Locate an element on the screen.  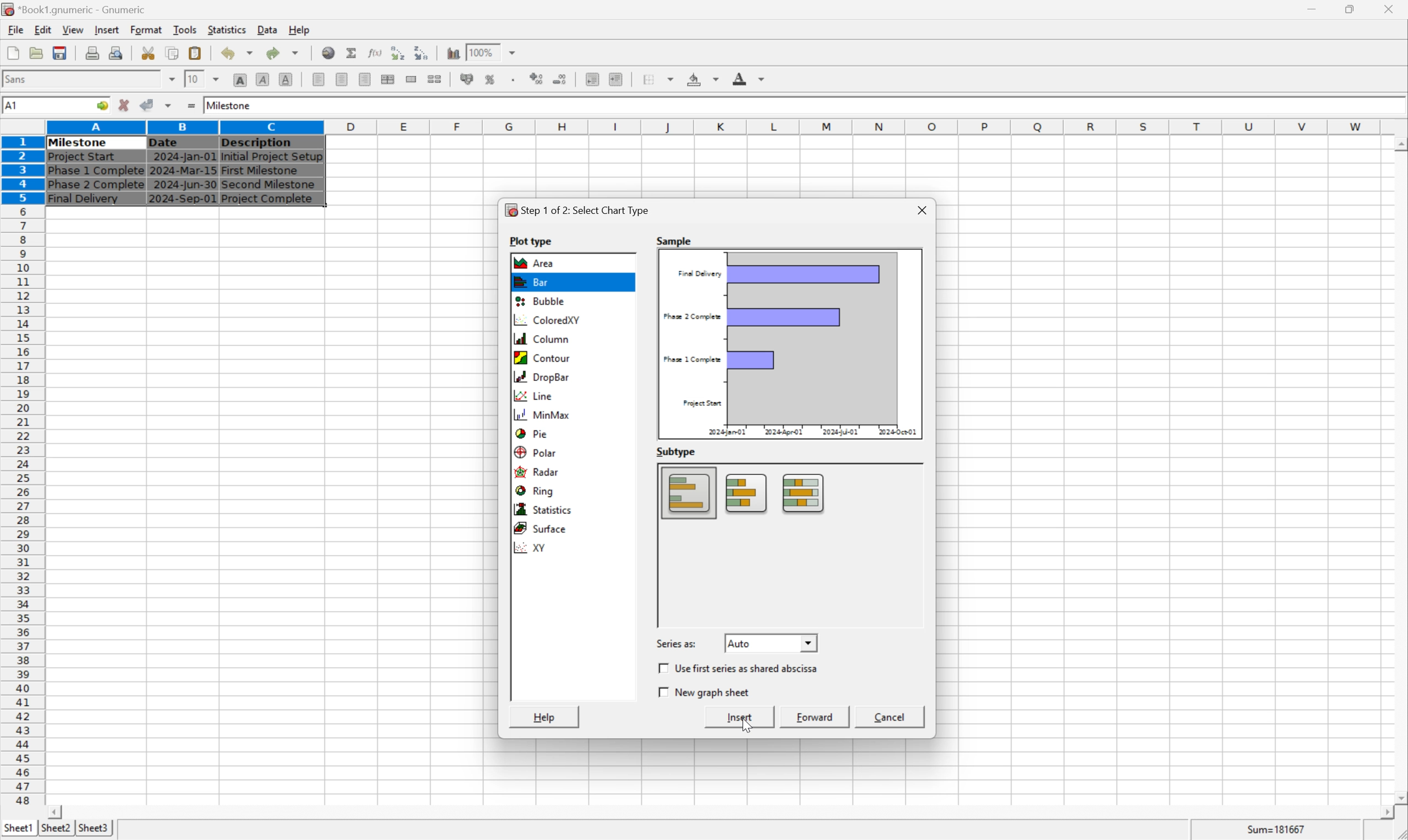
auto is located at coordinates (772, 642).